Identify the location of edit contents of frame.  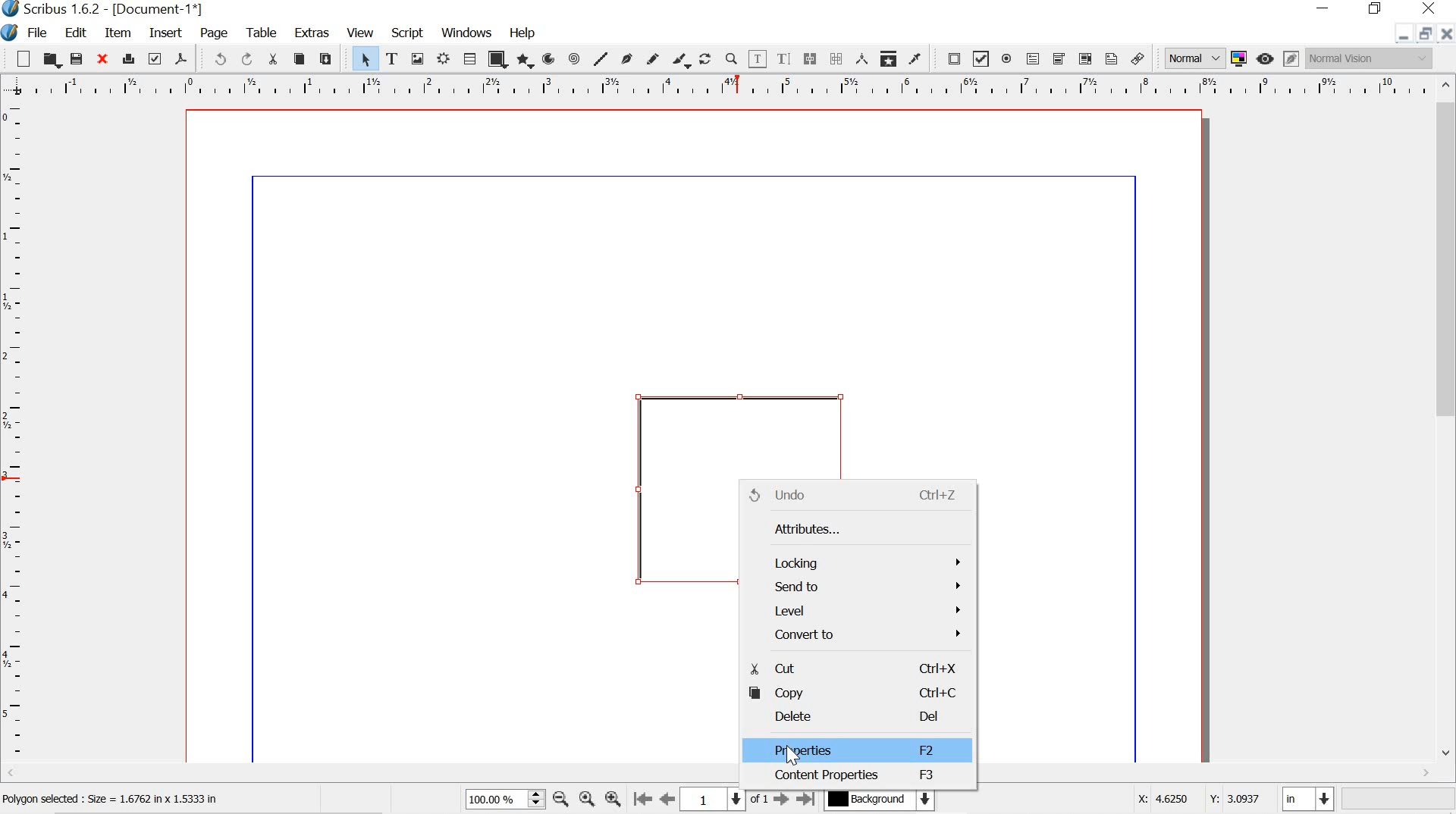
(757, 59).